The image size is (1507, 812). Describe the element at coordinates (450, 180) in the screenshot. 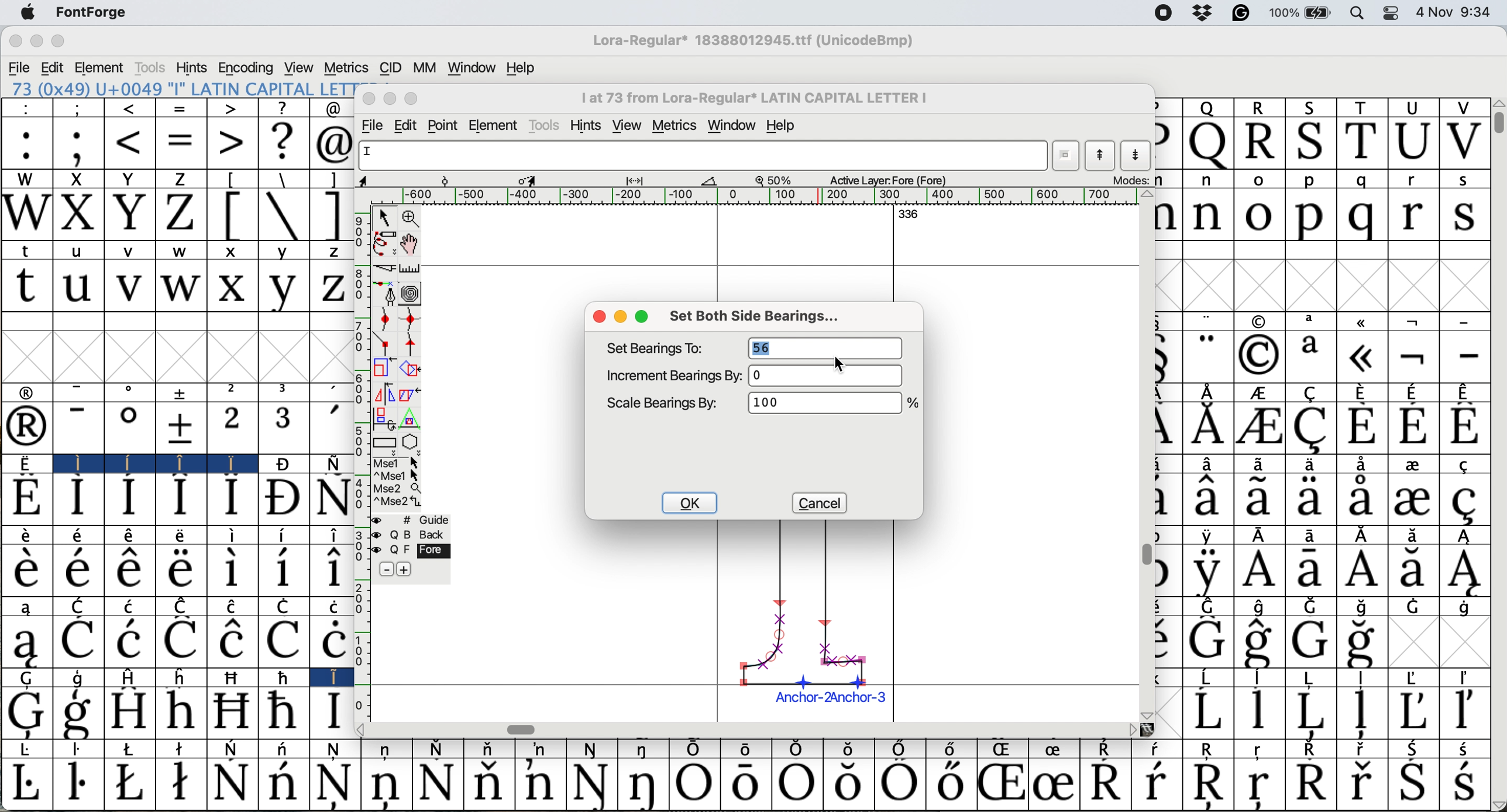

I see `` at that location.